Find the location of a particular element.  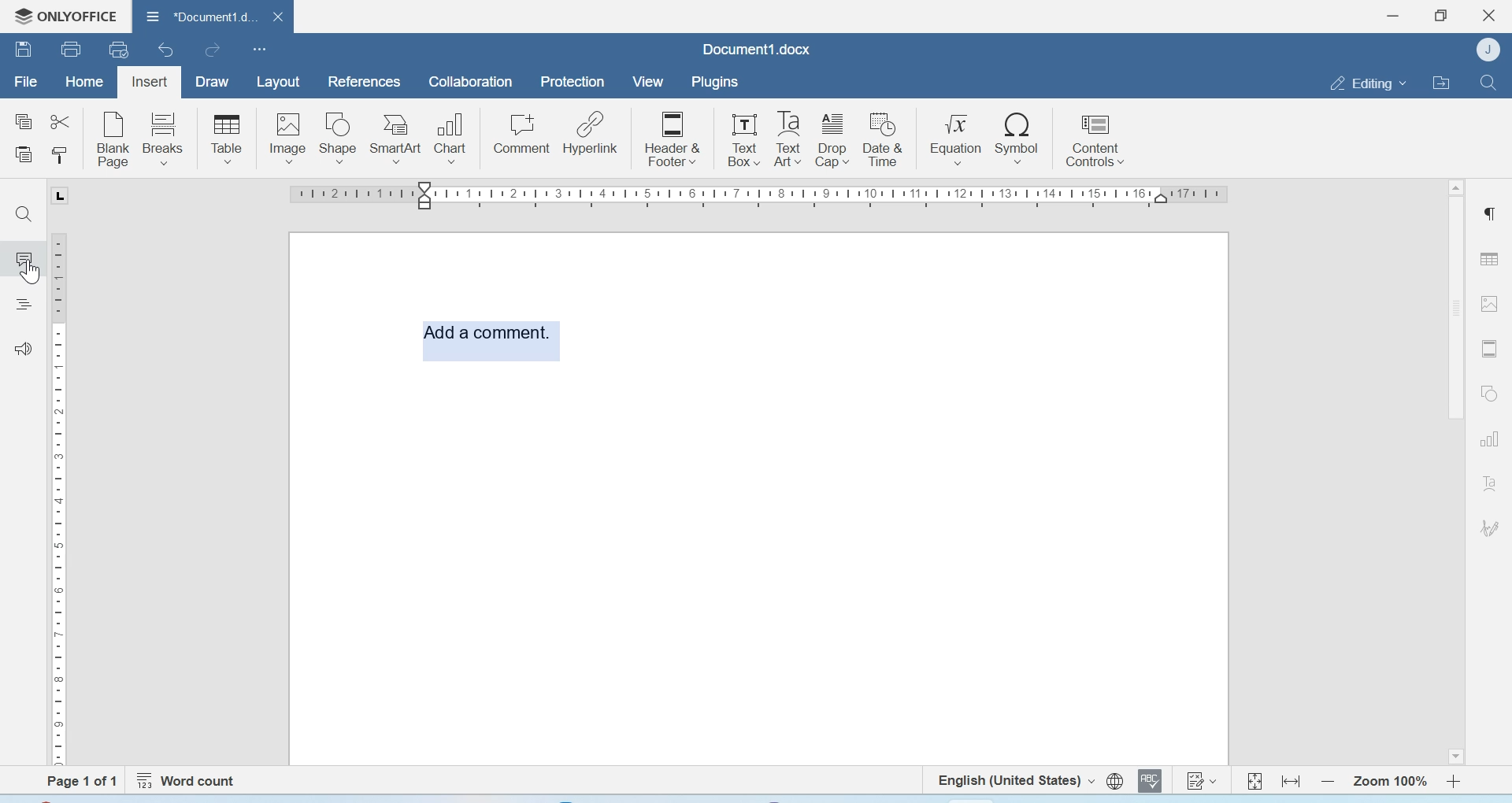

File is located at coordinates (25, 82).